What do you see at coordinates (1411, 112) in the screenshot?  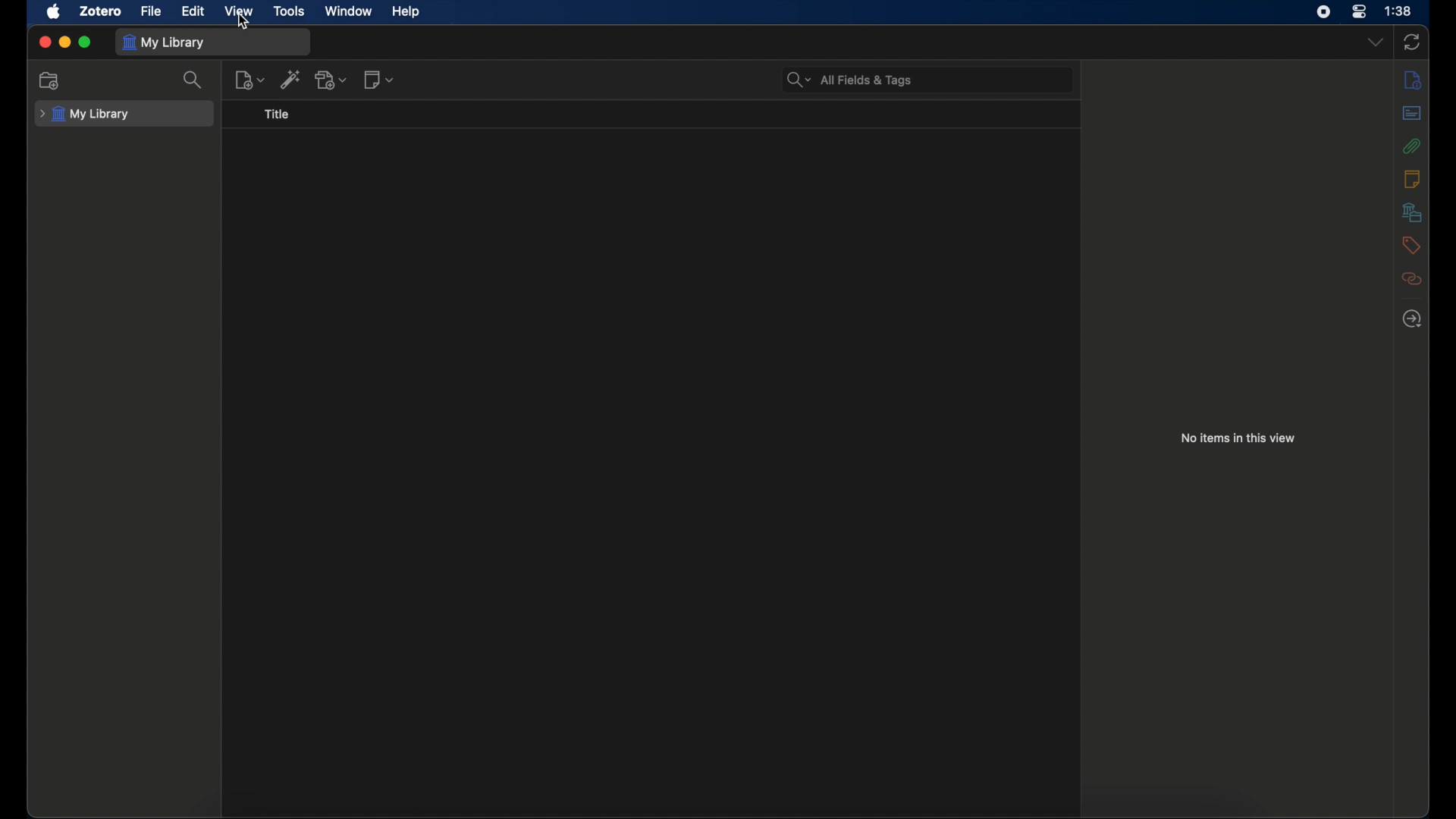 I see `abstracts` at bounding box center [1411, 112].